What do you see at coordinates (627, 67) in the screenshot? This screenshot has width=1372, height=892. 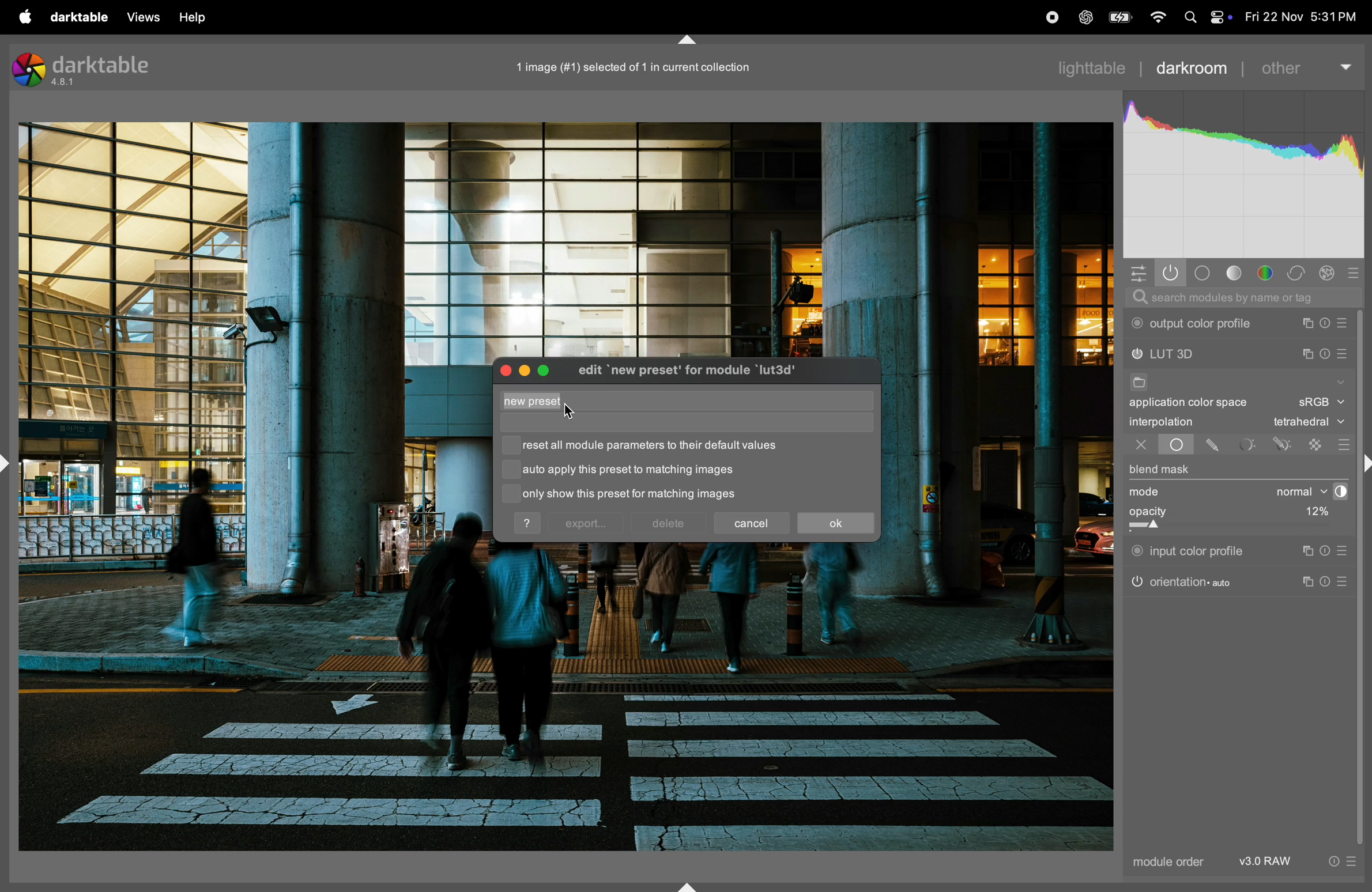 I see `image` at bounding box center [627, 67].